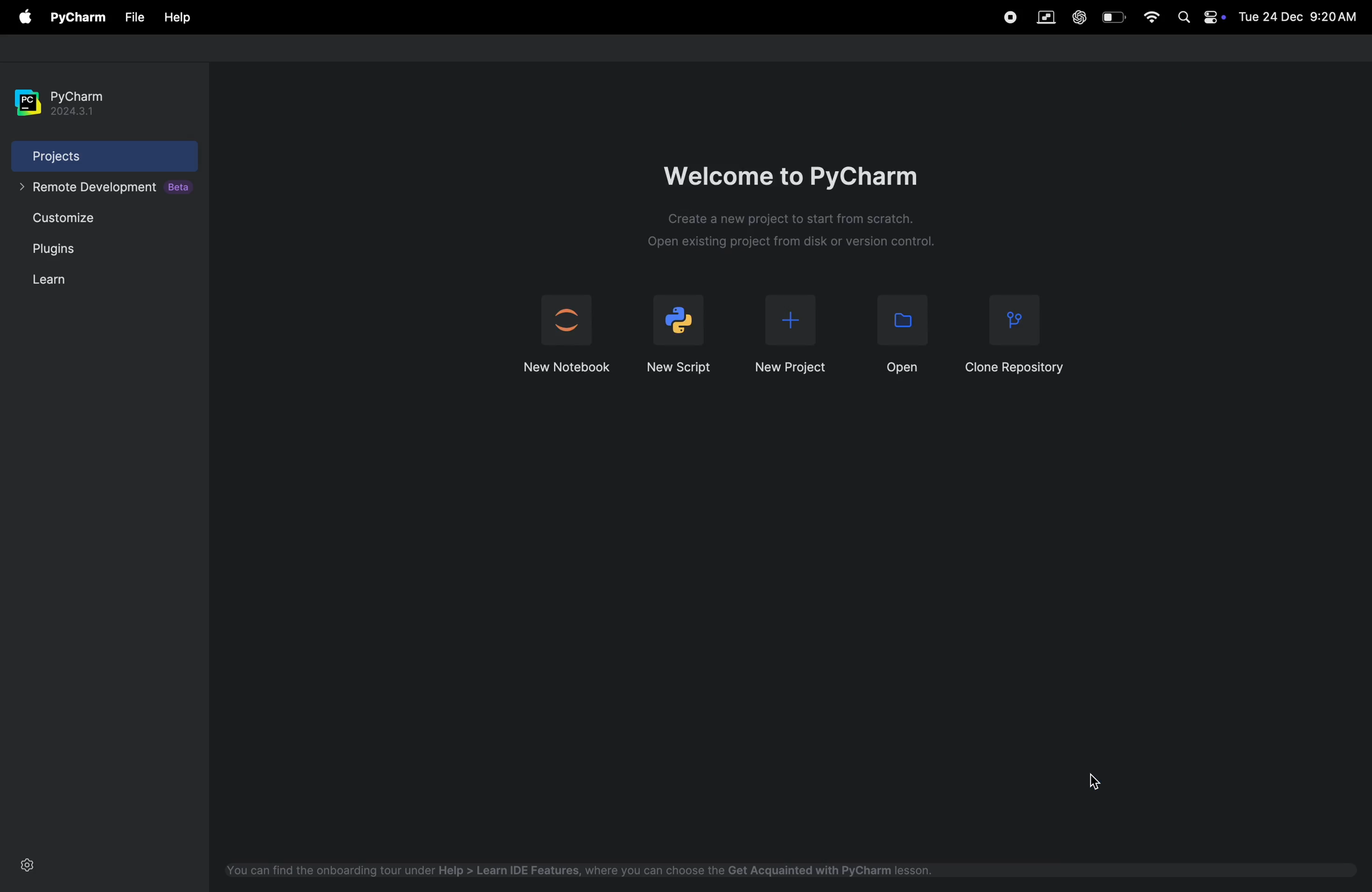 The image size is (1372, 892). What do you see at coordinates (902, 340) in the screenshot?
I see `open` at bounding box center [902, 340].